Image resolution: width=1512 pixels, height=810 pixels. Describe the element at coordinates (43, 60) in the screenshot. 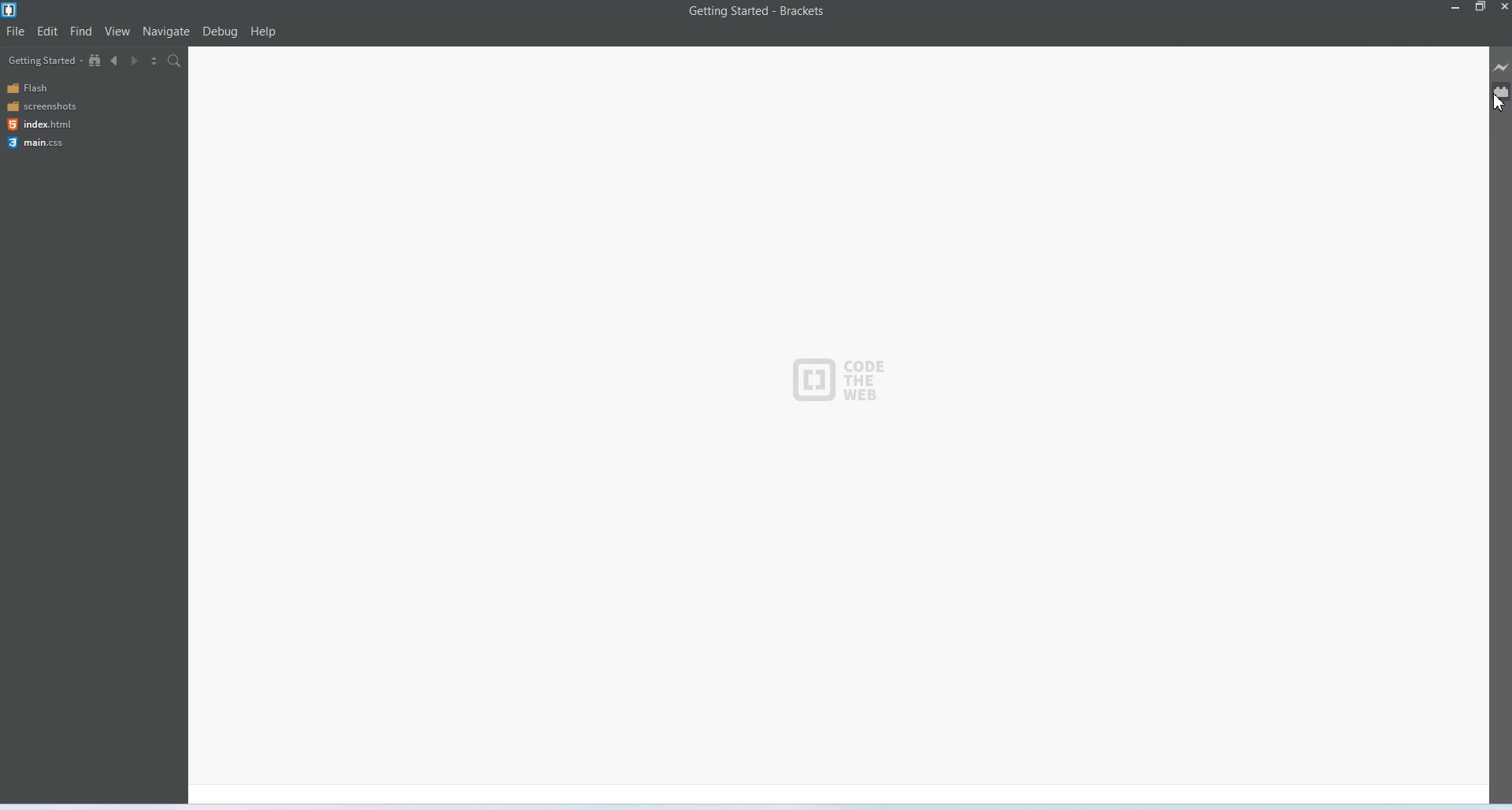

I see `Getting Started` at that location.